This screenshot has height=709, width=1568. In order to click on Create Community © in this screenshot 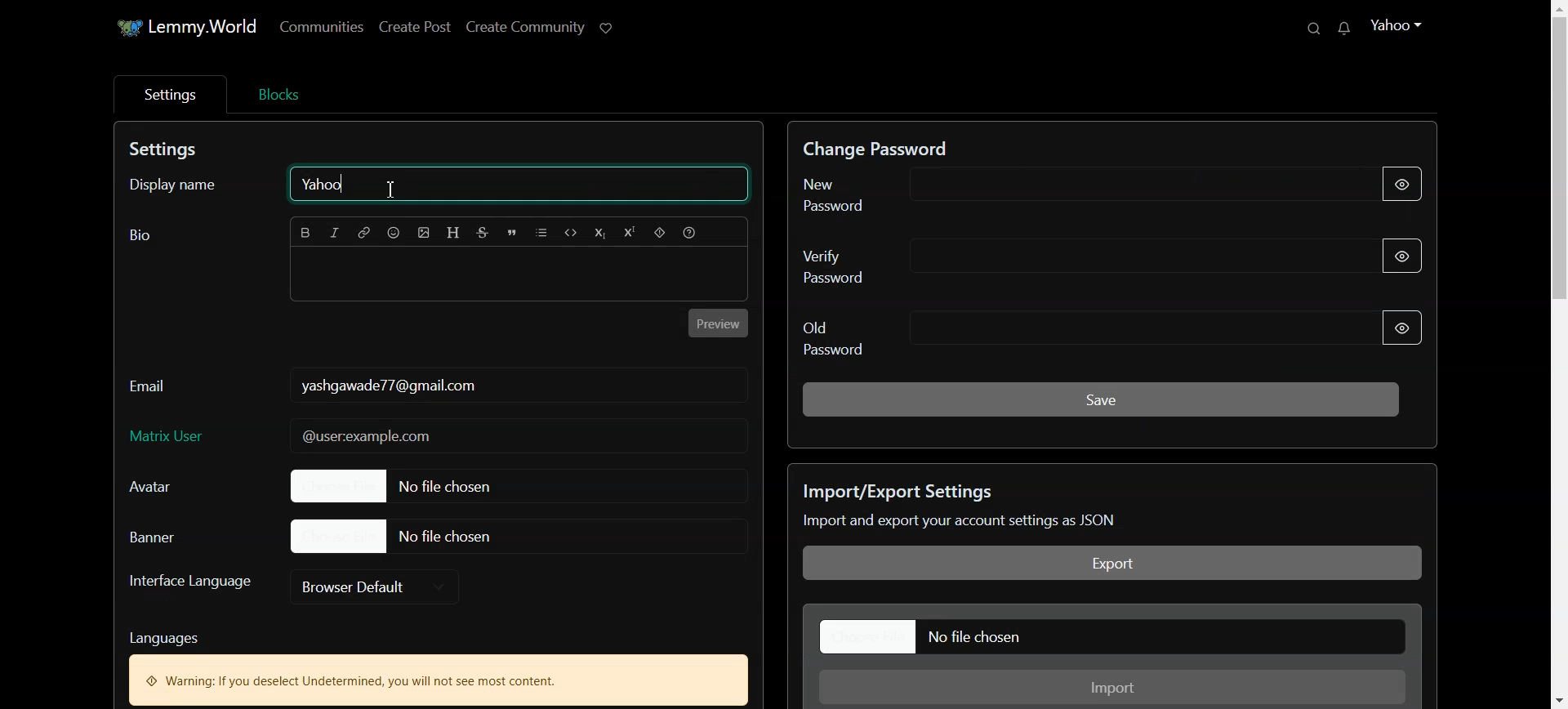, I will do `click(542, 24)`.